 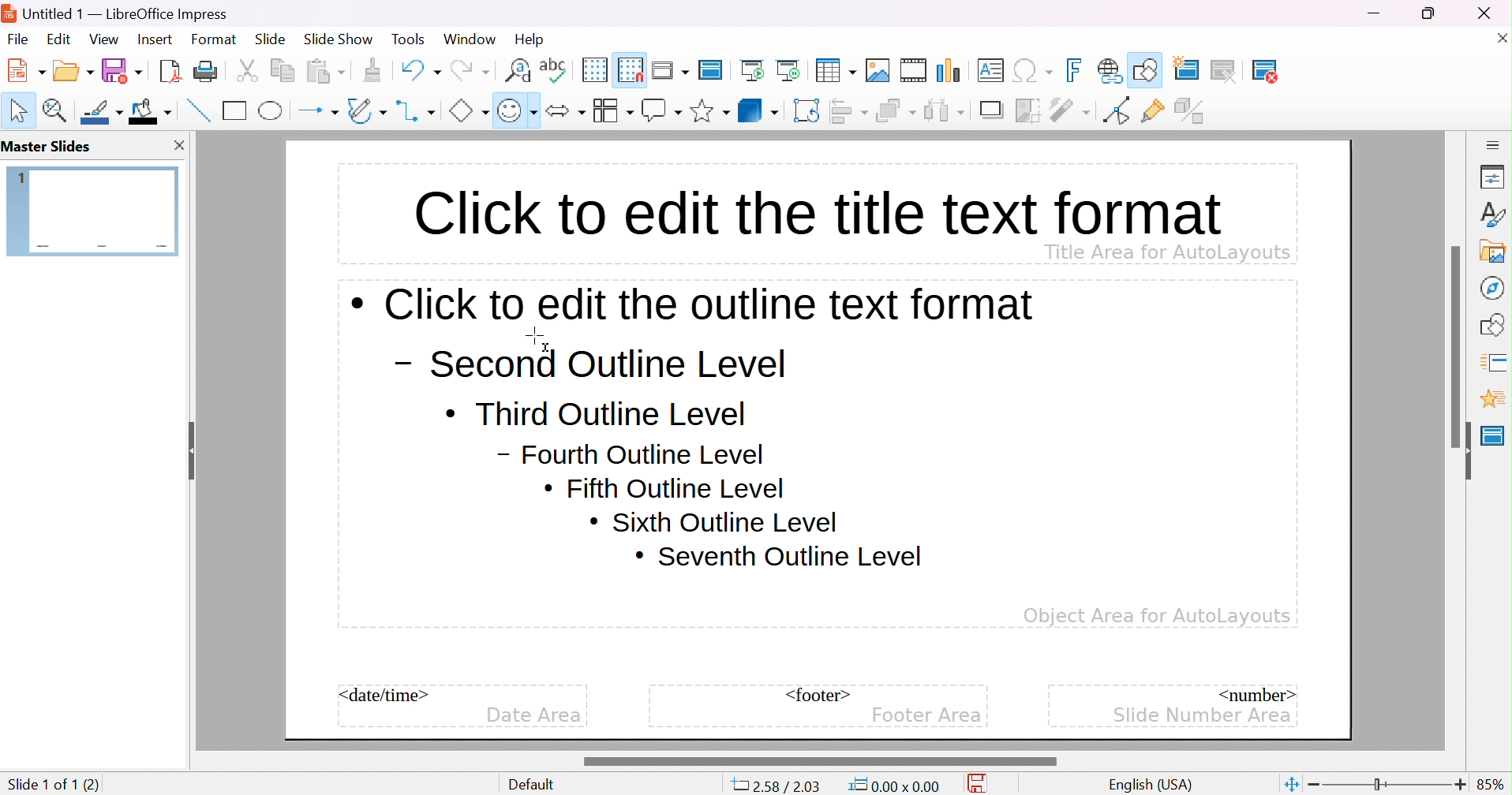 I want to click on toggle extrusion, so click(x=1192, y=110).